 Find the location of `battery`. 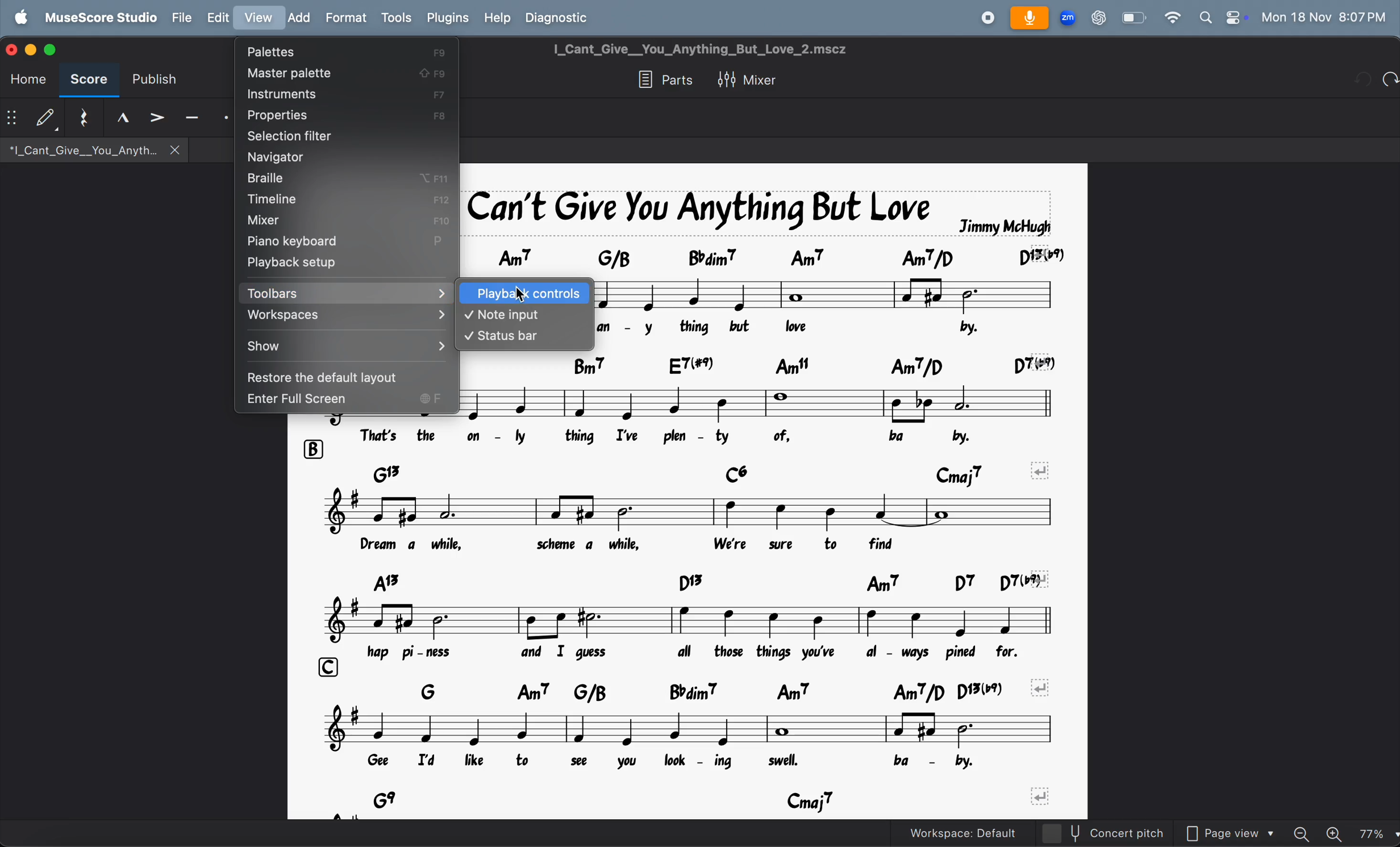

battery is located at coordinates (1132, 18).